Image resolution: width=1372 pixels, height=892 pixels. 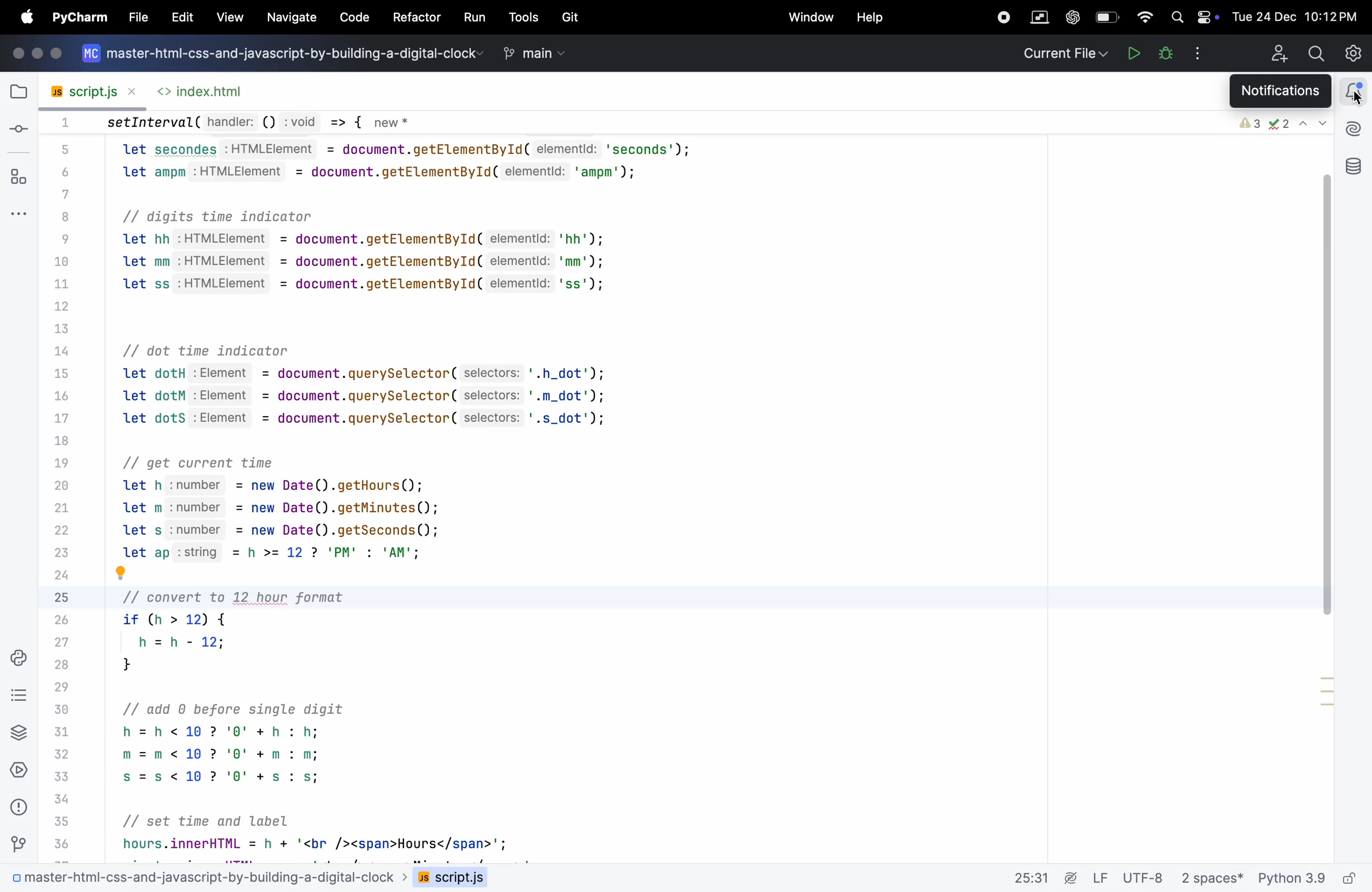 What do you see at coordinates (476, 18) in the screenshot?
I see `run` at bounding box center [476, 18].